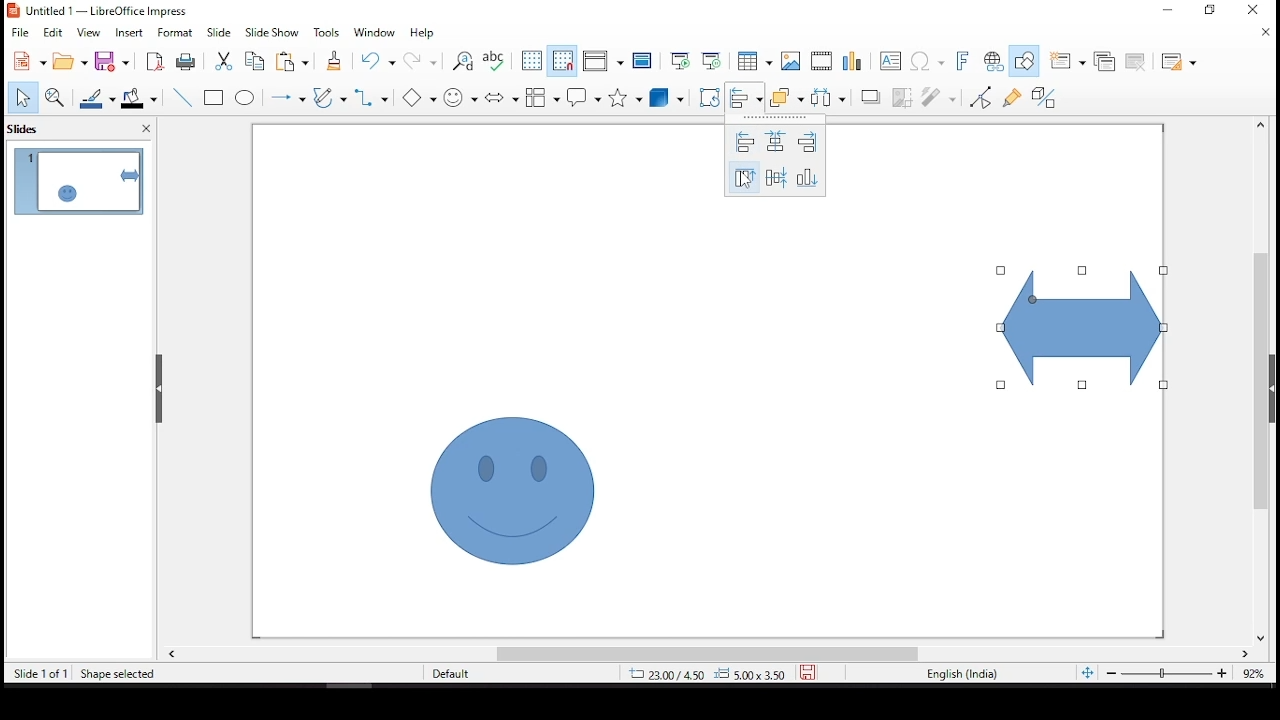 This screenshot has height=720, width=1280. I want to click on arrange, so click(784, 96).